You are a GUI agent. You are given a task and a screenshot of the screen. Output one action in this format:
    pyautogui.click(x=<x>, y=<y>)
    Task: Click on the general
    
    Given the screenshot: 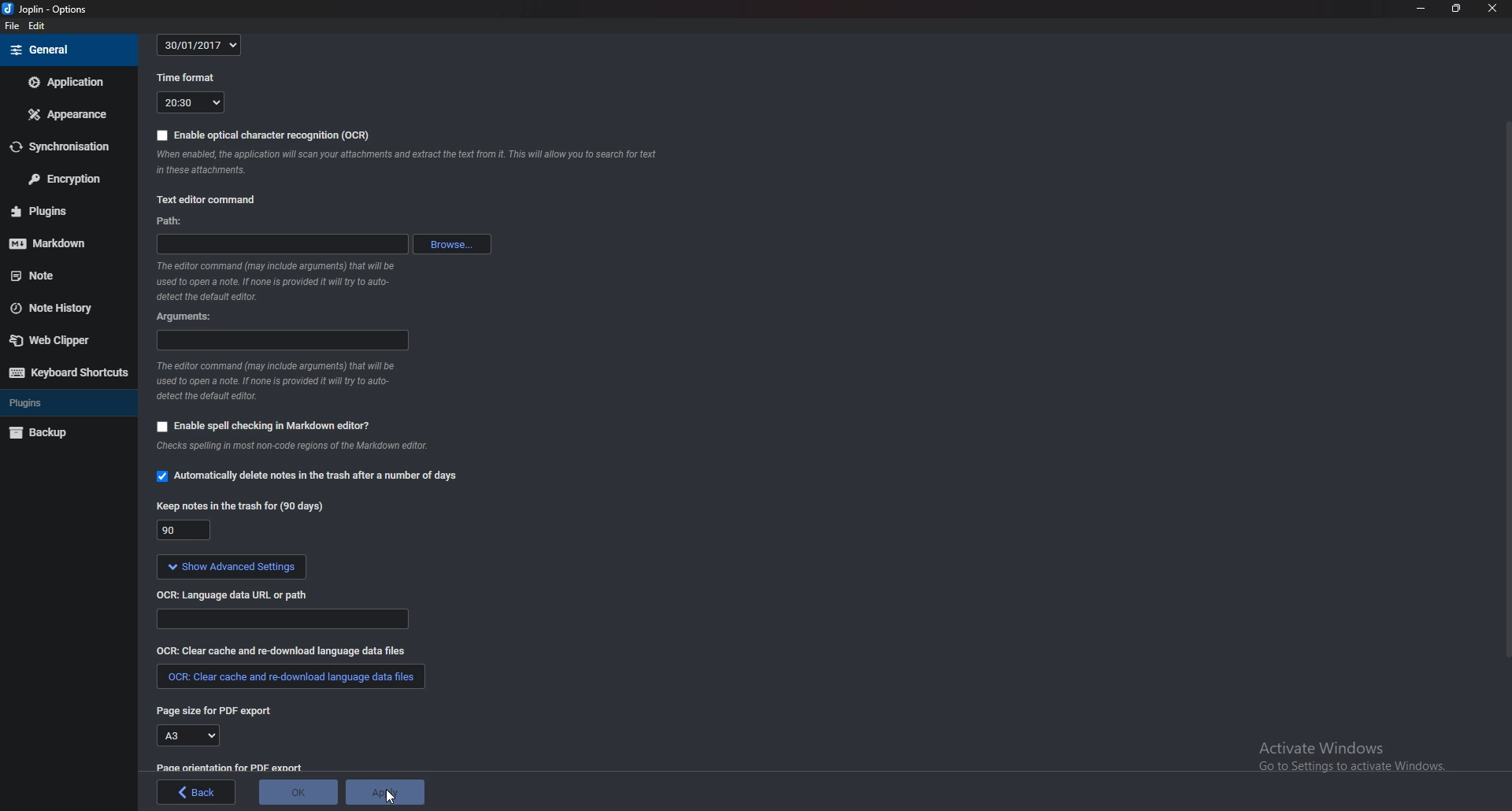 What is the action you would take?
    pyautogui.click(x=67, y=50)
    